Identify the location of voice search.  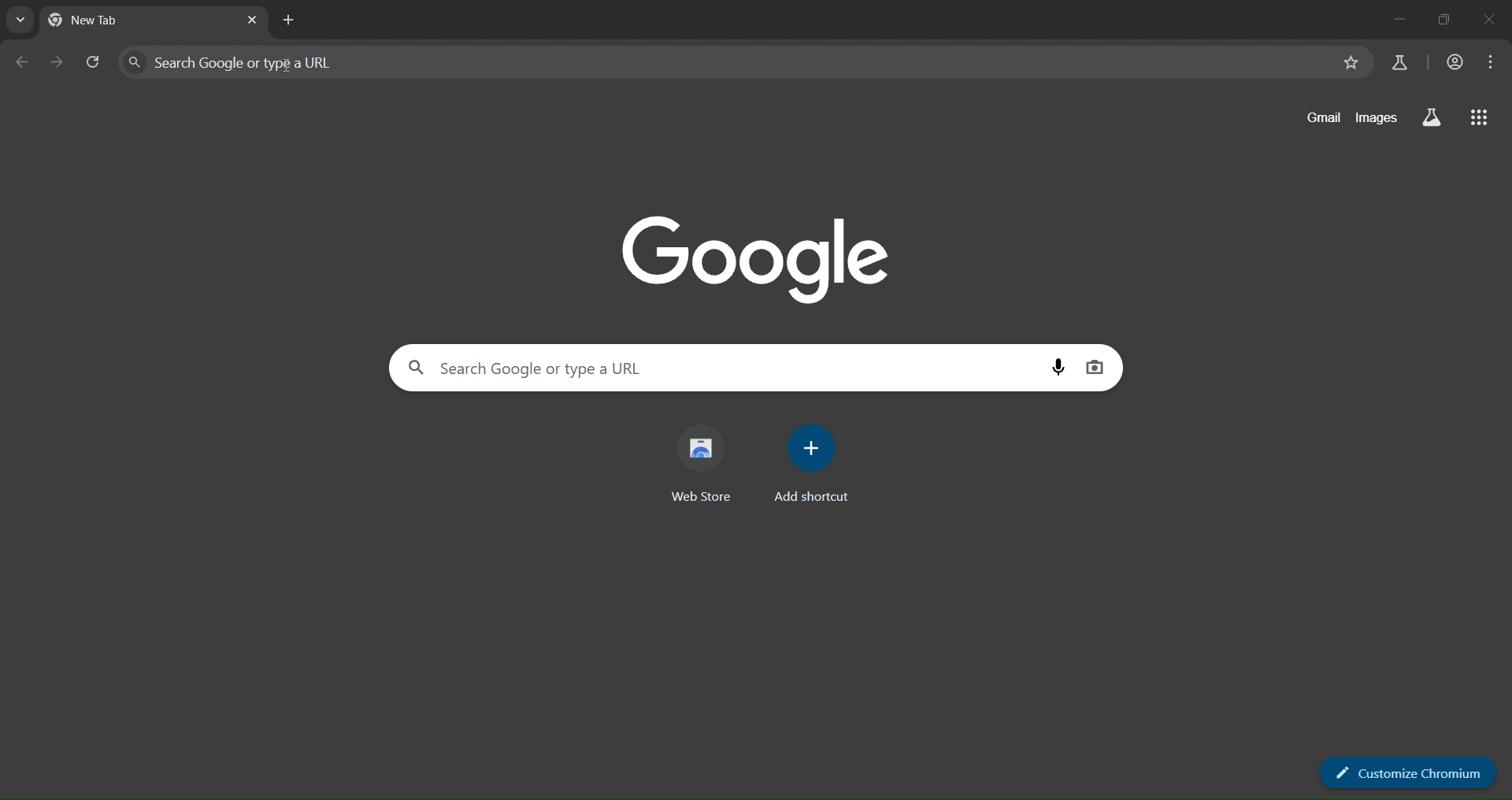
(1056, 368).